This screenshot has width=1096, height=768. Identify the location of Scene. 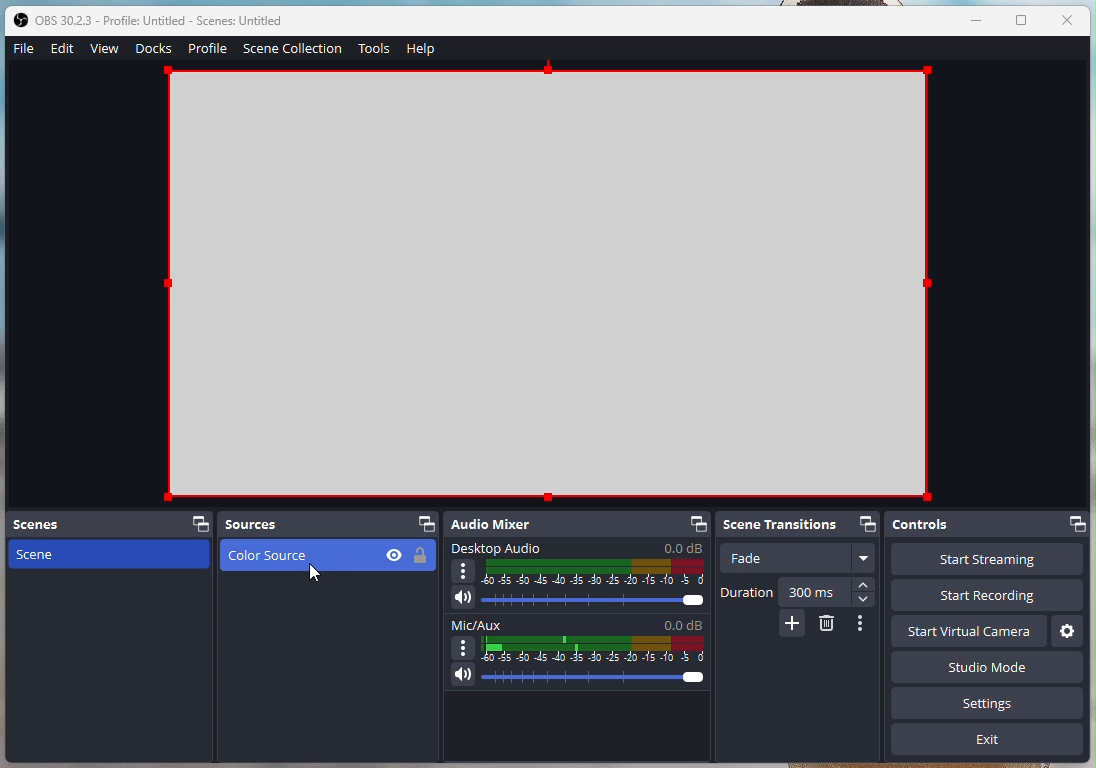
(105, 554).